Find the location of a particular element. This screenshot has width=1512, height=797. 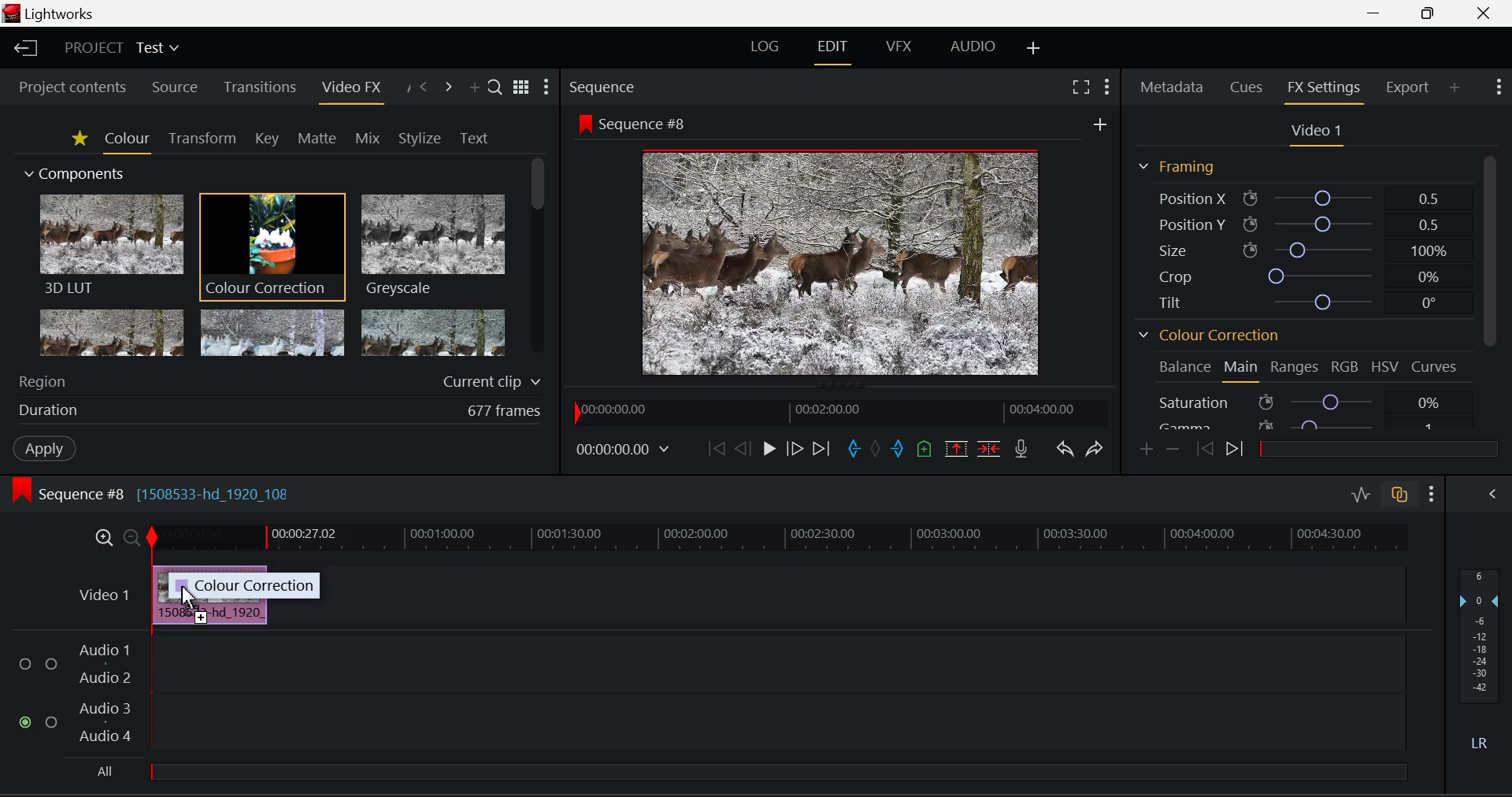

Mark Out is located at coordinates (898, 449).